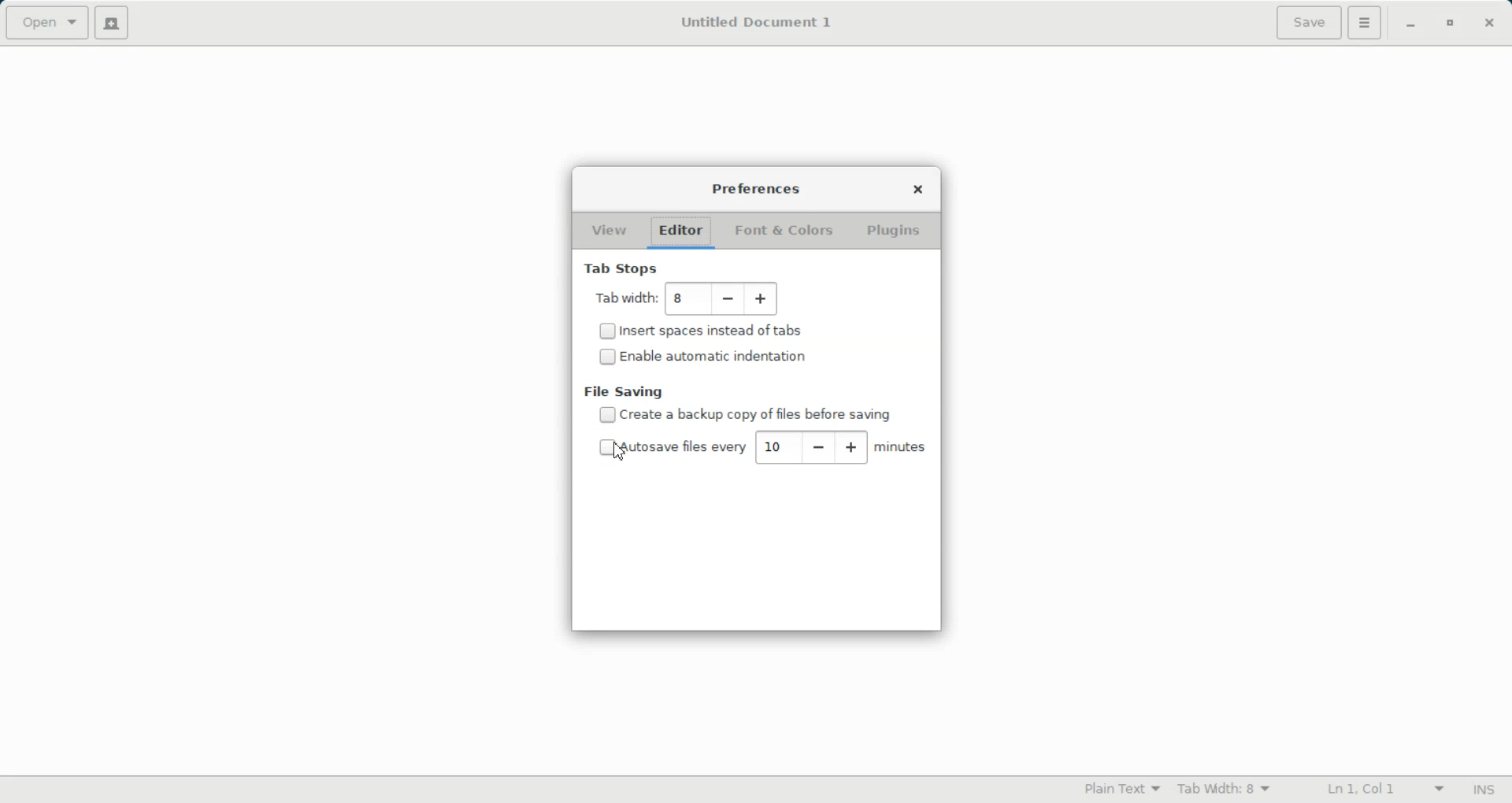 The image size is (1512, 803). What do you see at coordinates (762, 299) in the screenshot?
I see `Add` at bounding box center [762, 299].